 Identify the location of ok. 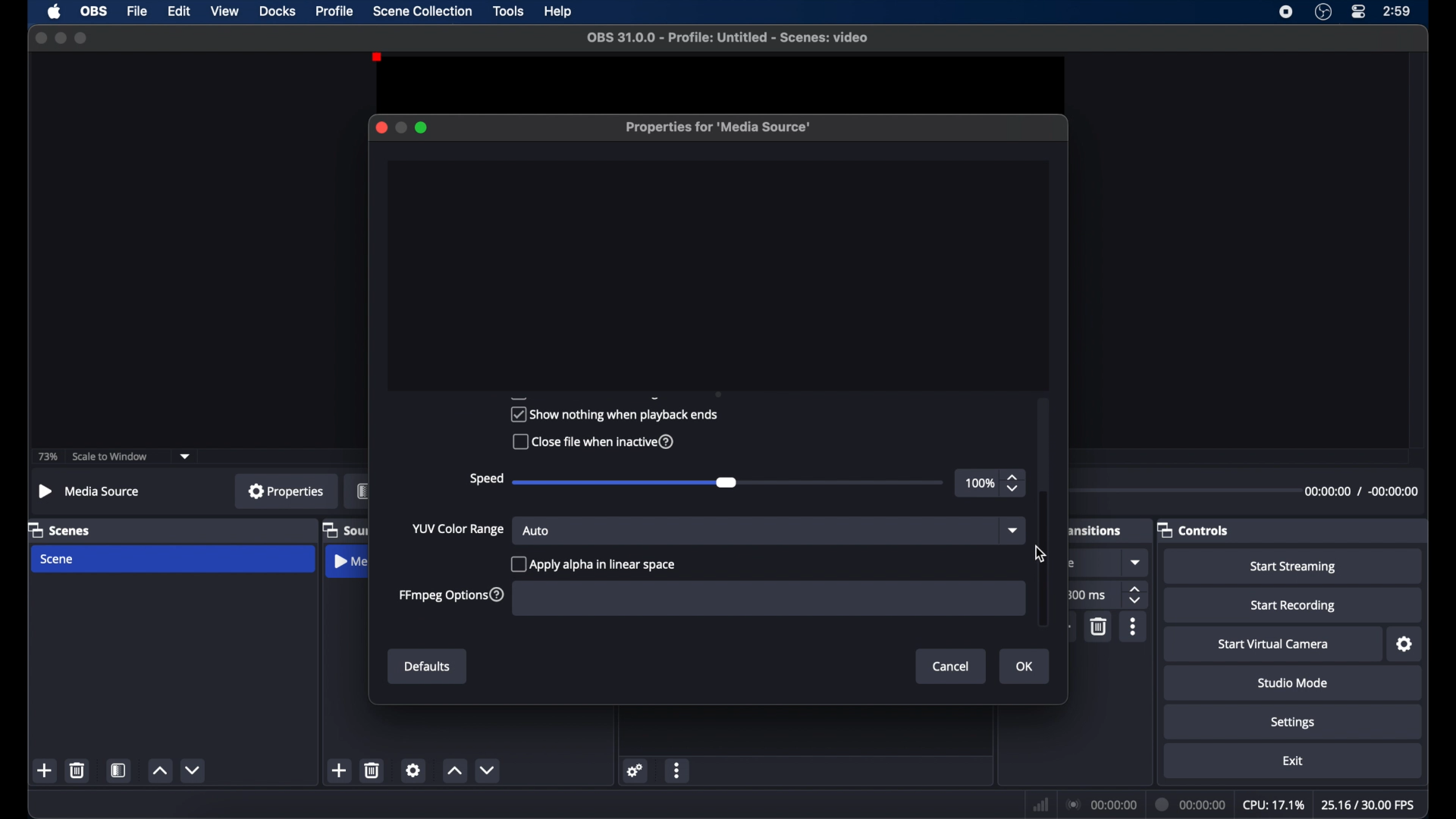
(1025, 667).